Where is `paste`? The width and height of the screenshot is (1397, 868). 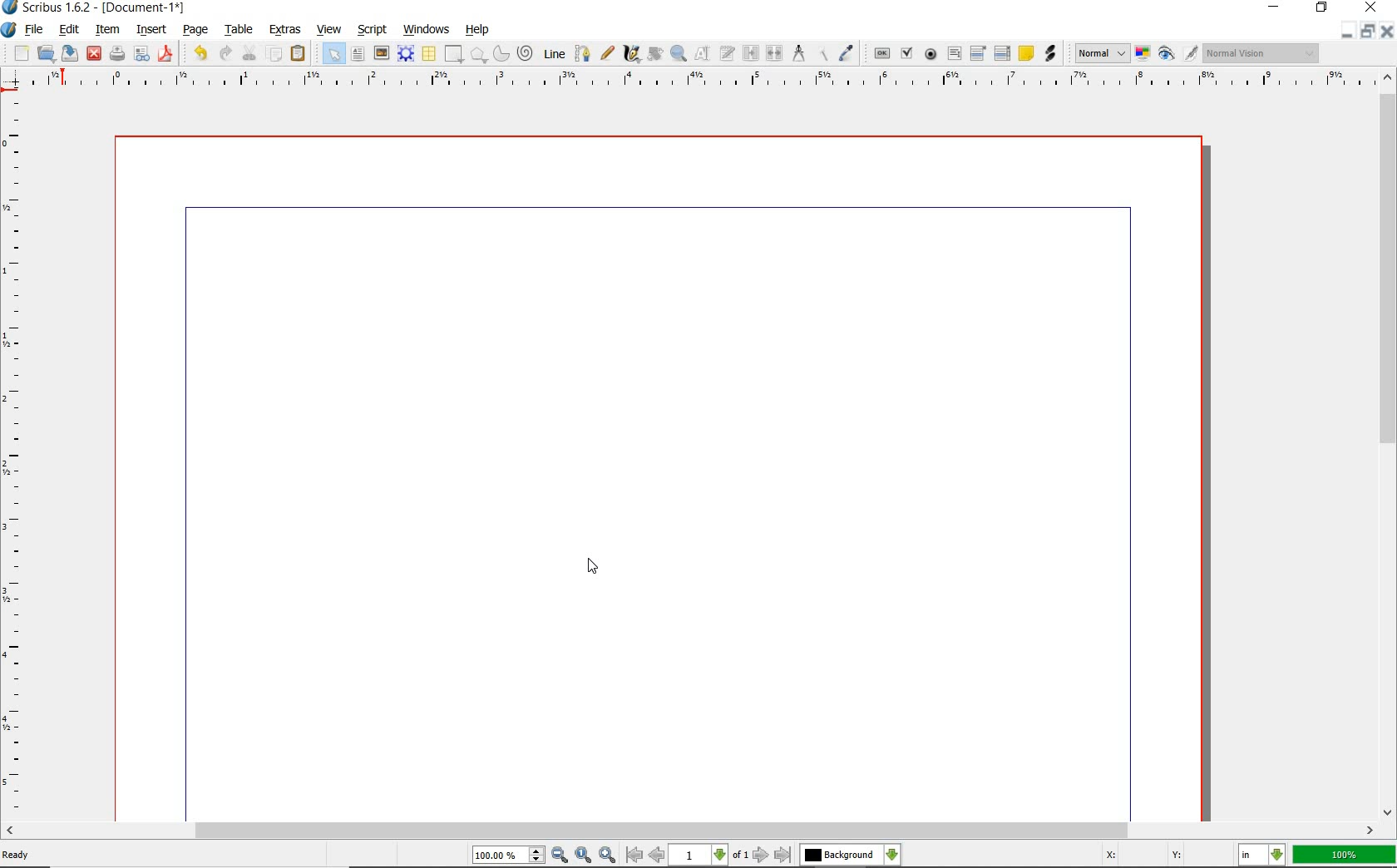
paste is located at coordinates (301, 55).